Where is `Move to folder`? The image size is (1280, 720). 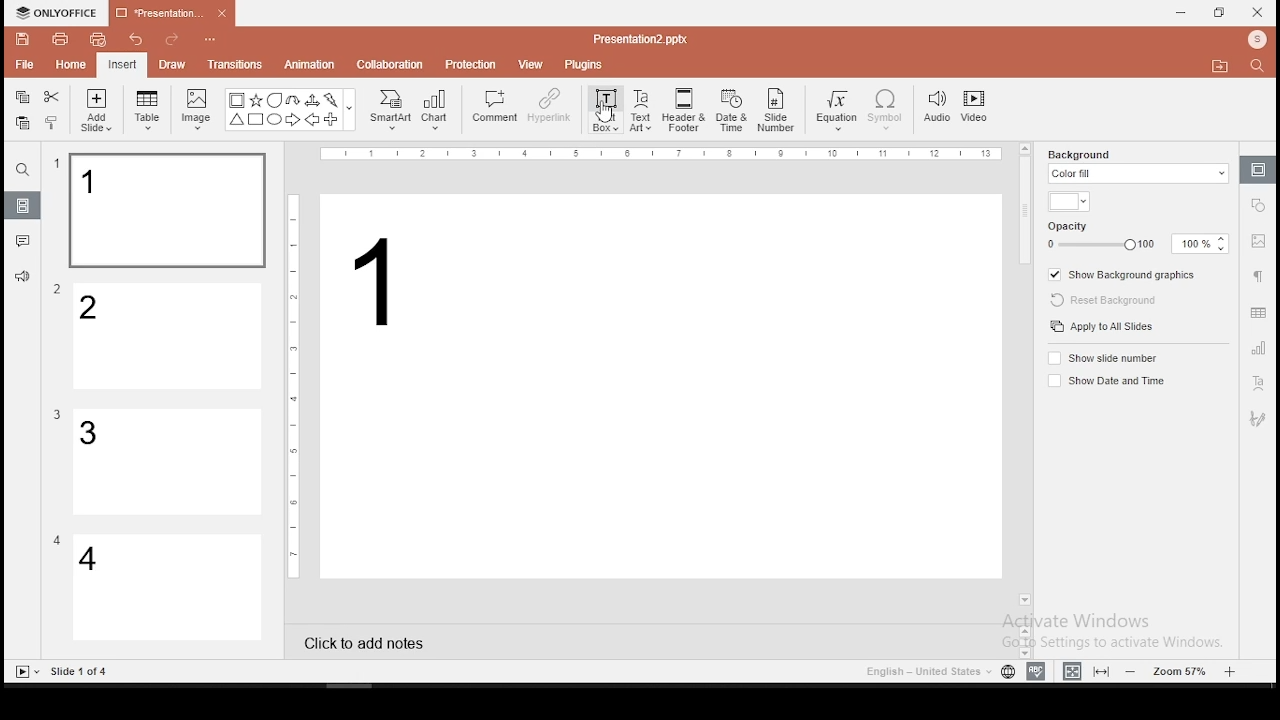
Move to folder is located at coordinates (1223, 68).